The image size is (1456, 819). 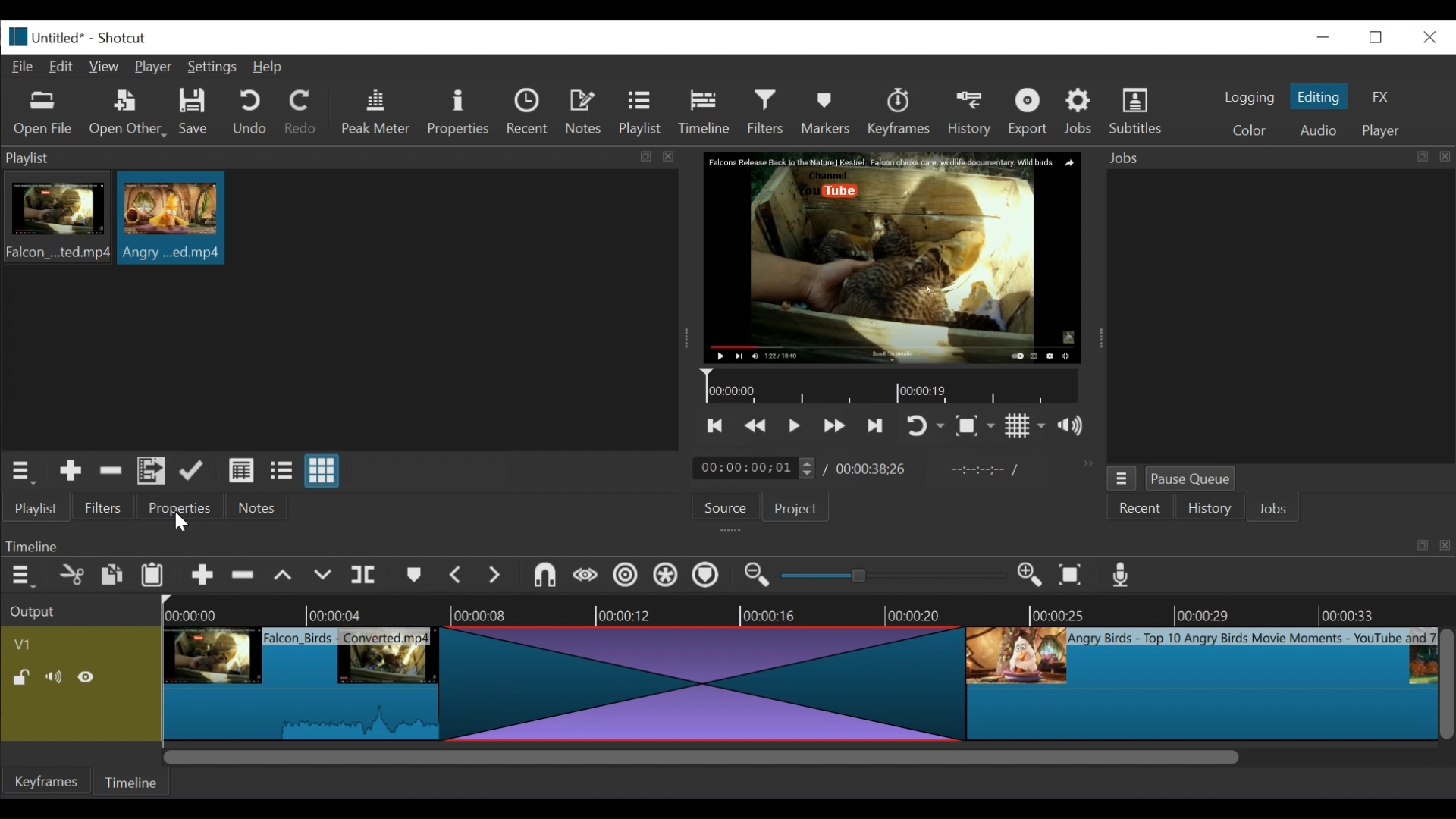 What do you see at coordinates (1380, 36) in the screenshot?
I see `restore` at bounding box center [1380, 36].